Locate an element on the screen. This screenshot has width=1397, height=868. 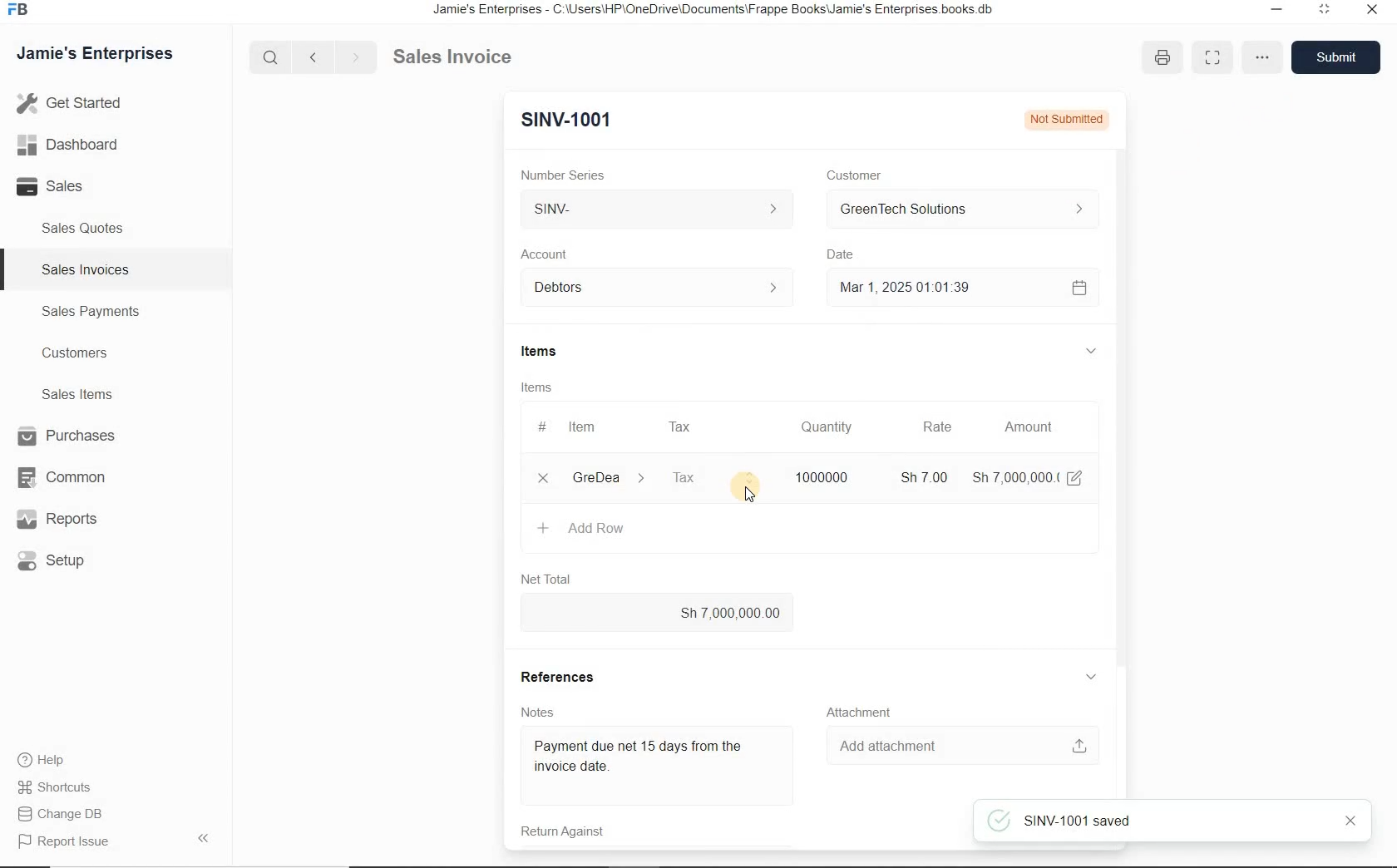
Net Total is located at coordinates (543, 578).